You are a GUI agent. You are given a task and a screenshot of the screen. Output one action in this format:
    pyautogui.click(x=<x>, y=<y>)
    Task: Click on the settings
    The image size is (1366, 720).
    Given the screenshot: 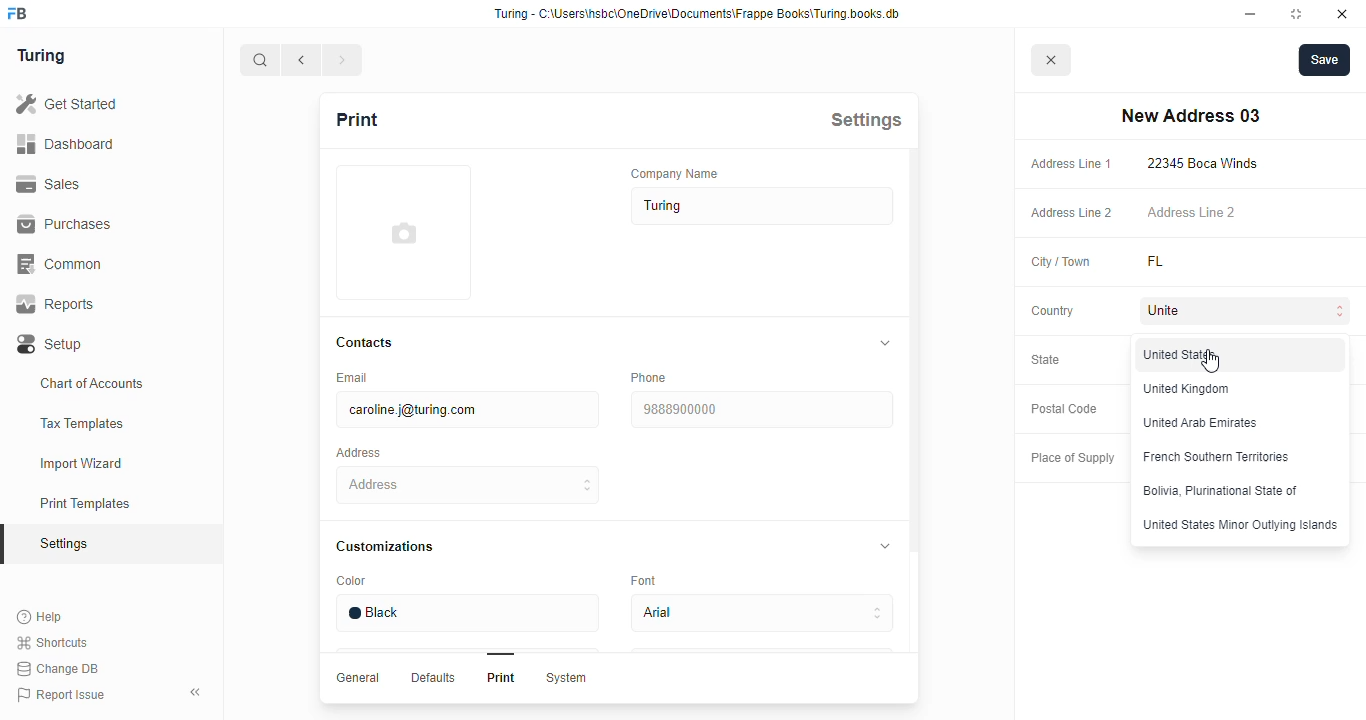 What is the action you would take?
    pyautogui.click(x=66, y=545)
    